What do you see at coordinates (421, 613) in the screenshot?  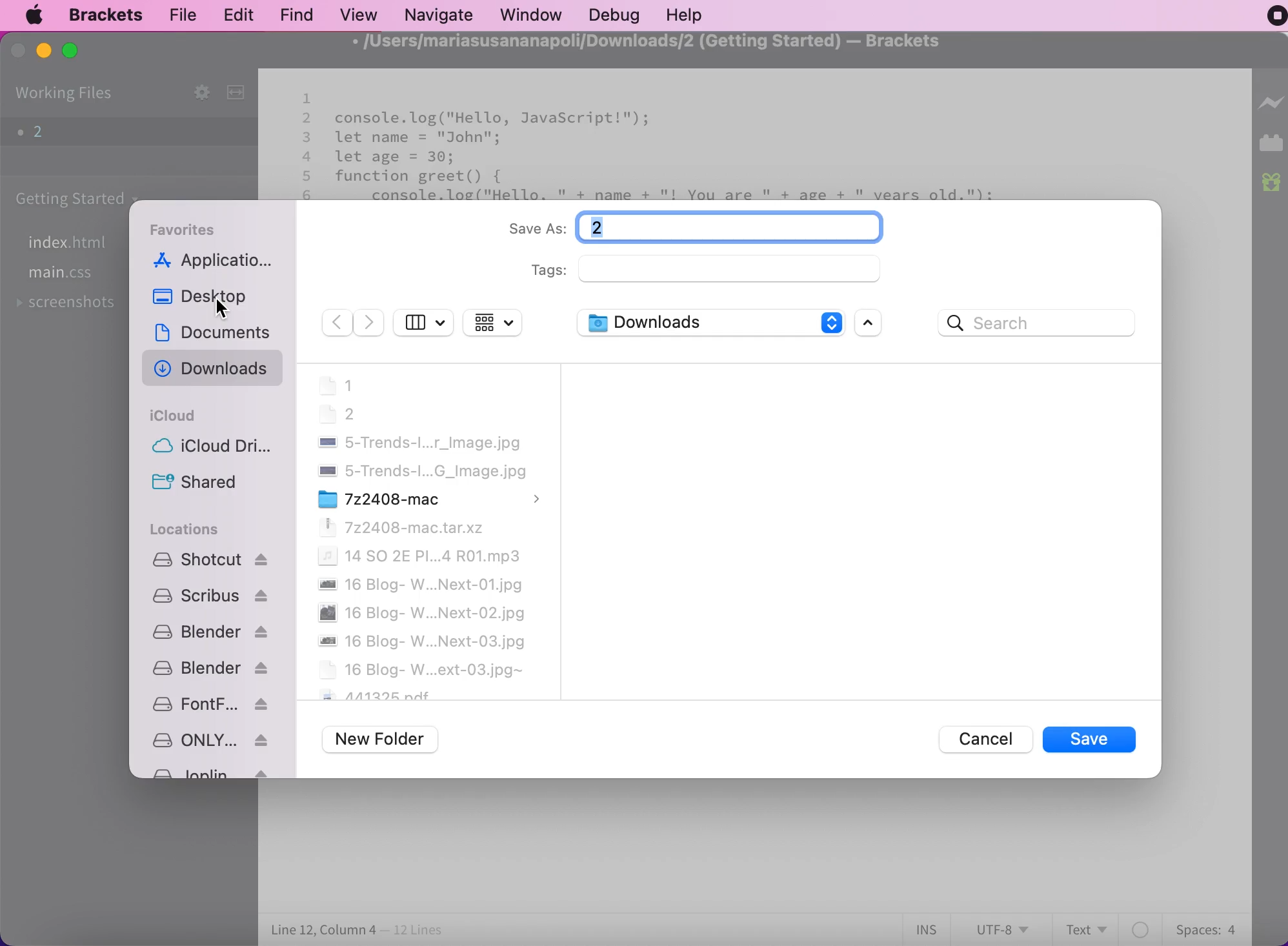 I see `16 blog-W...Next-02.jpg` at bounding box center [421, 613].